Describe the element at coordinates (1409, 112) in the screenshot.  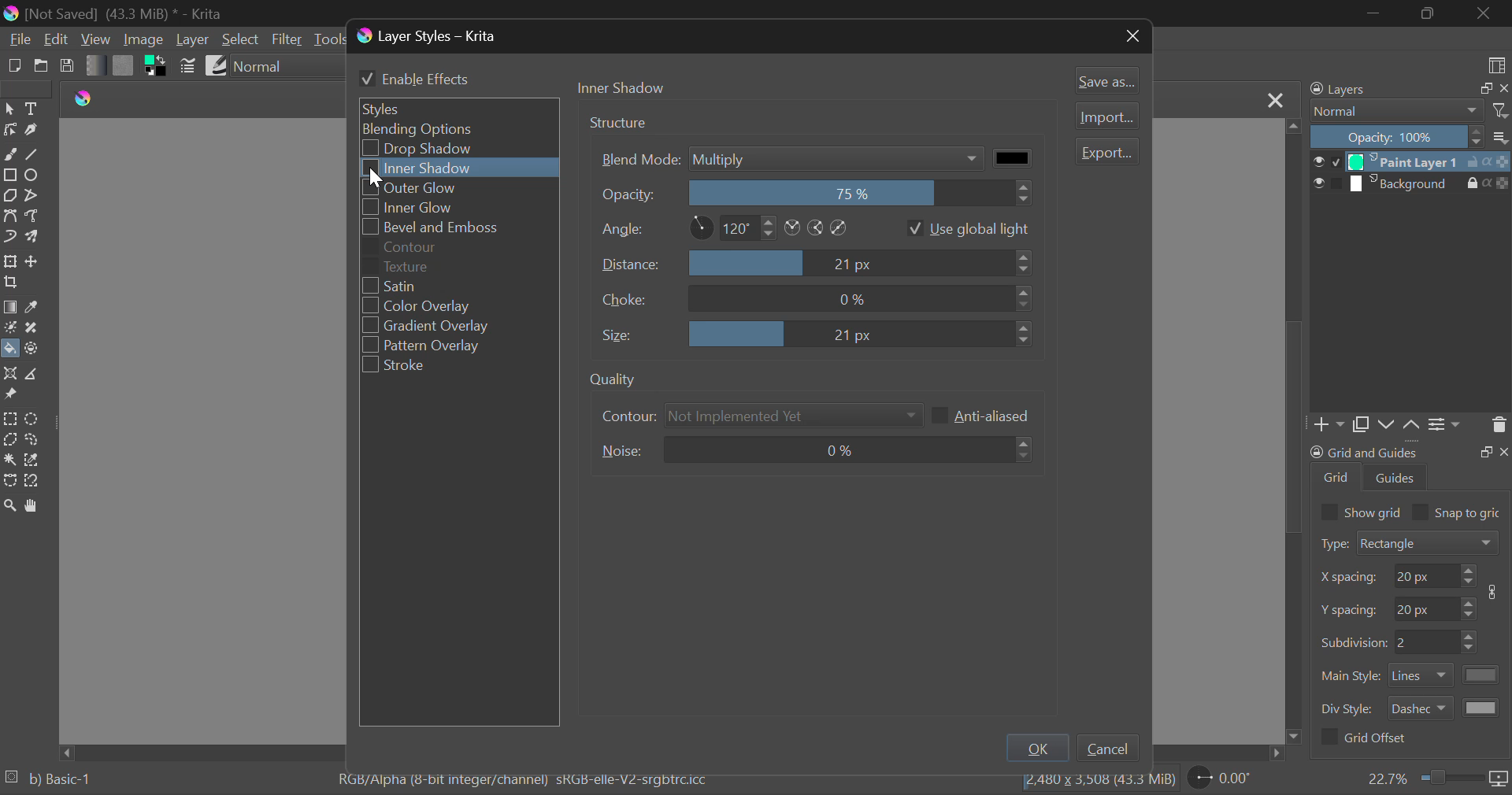
I see `Blending Modes` at that location.